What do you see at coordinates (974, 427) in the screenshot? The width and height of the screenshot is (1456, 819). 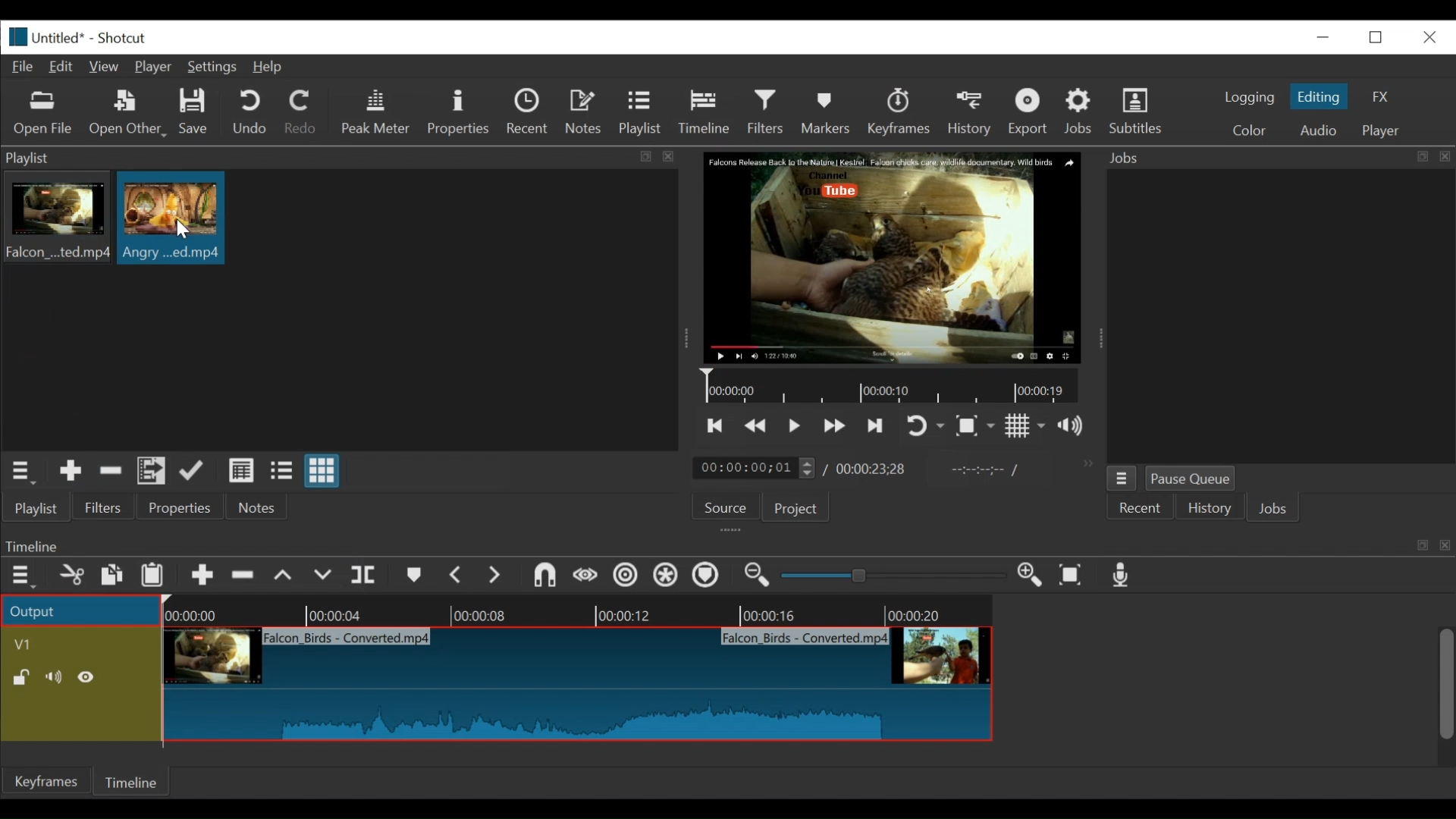 I see `Toggle zoom` at bounding box center [974, 427].